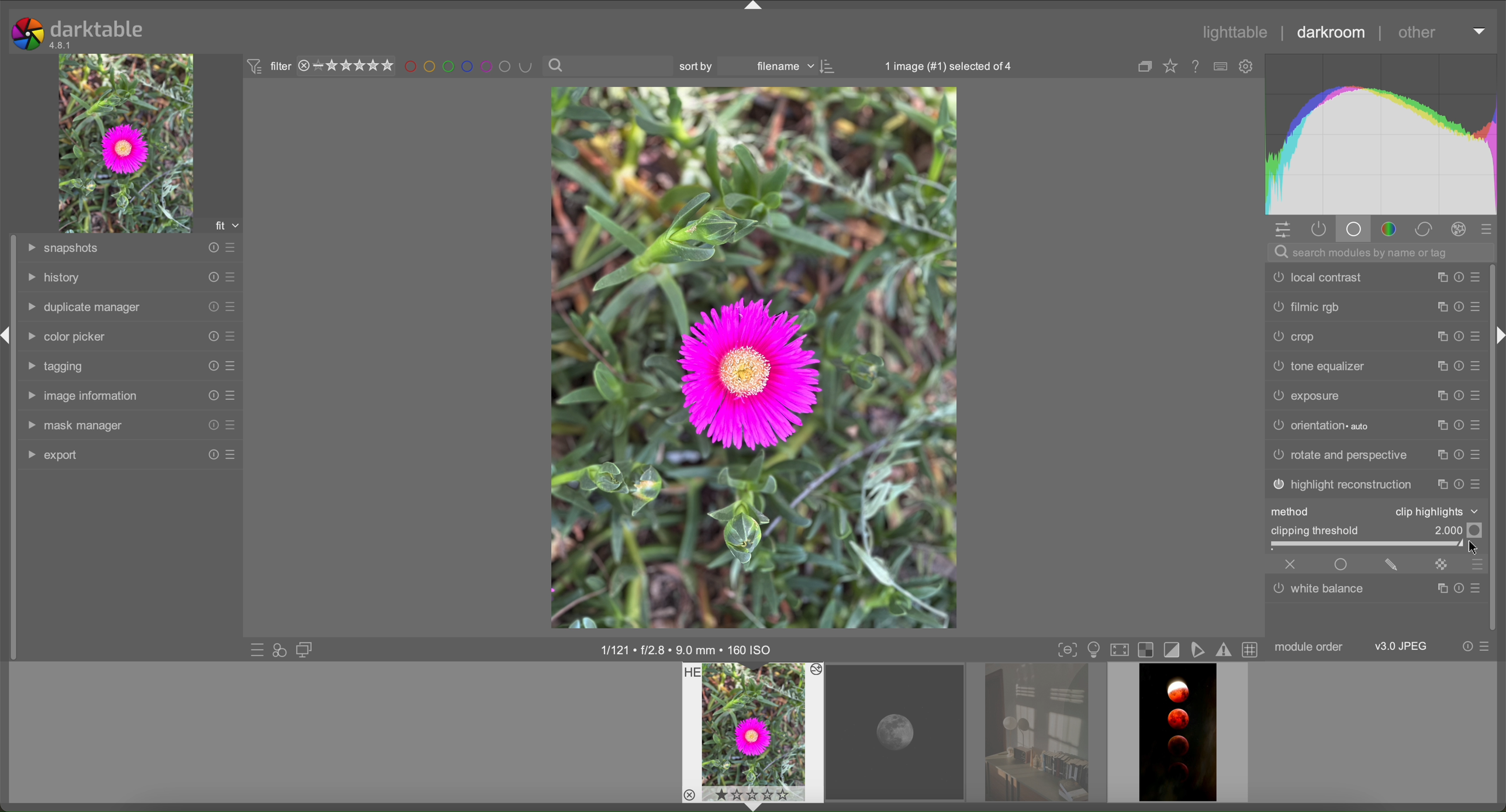  Describe the element at coordinates (75, 426) in the screenshot. I see `mask manager tab` at that location.